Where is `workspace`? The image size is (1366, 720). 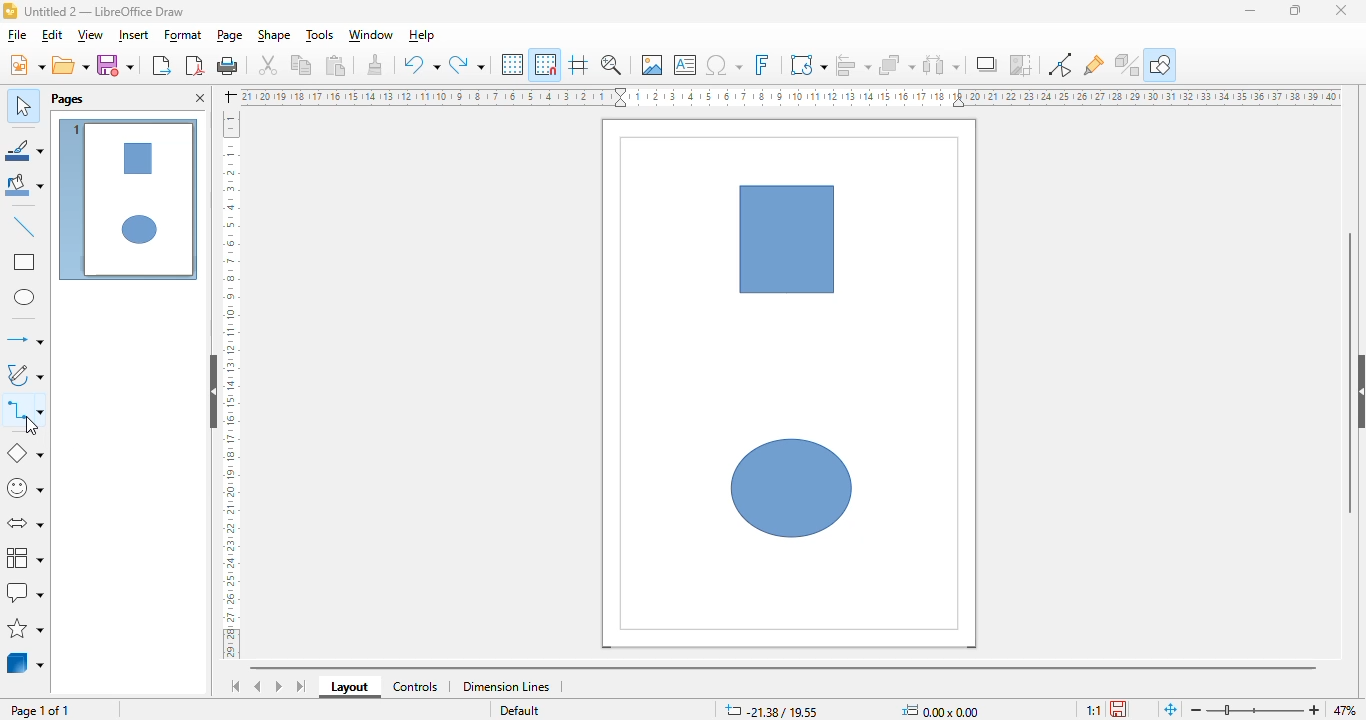 workspace is located at coordinates (791, 384).